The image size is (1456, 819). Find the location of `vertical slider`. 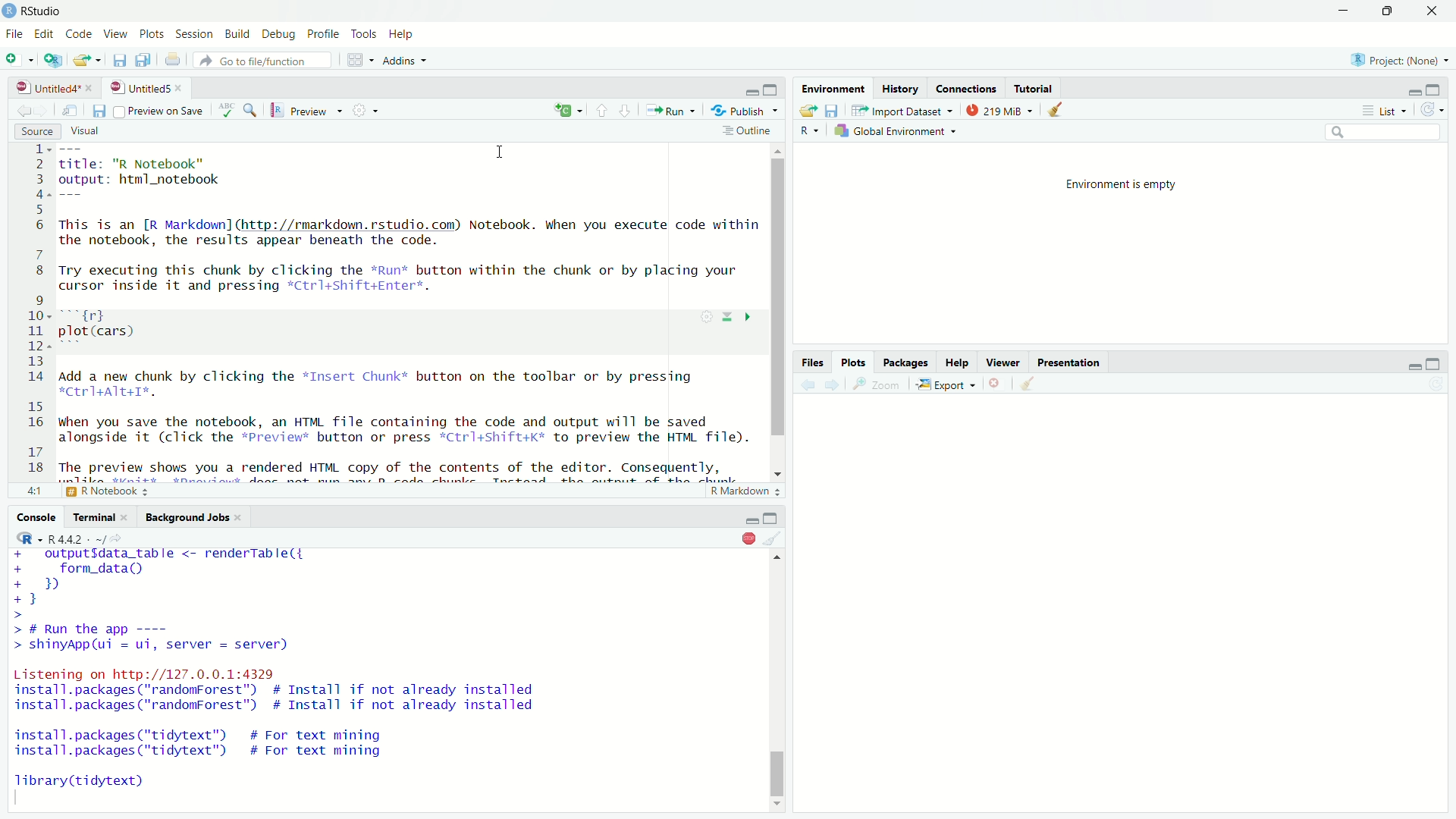

vertical slider is located at coordinates (779, 768).